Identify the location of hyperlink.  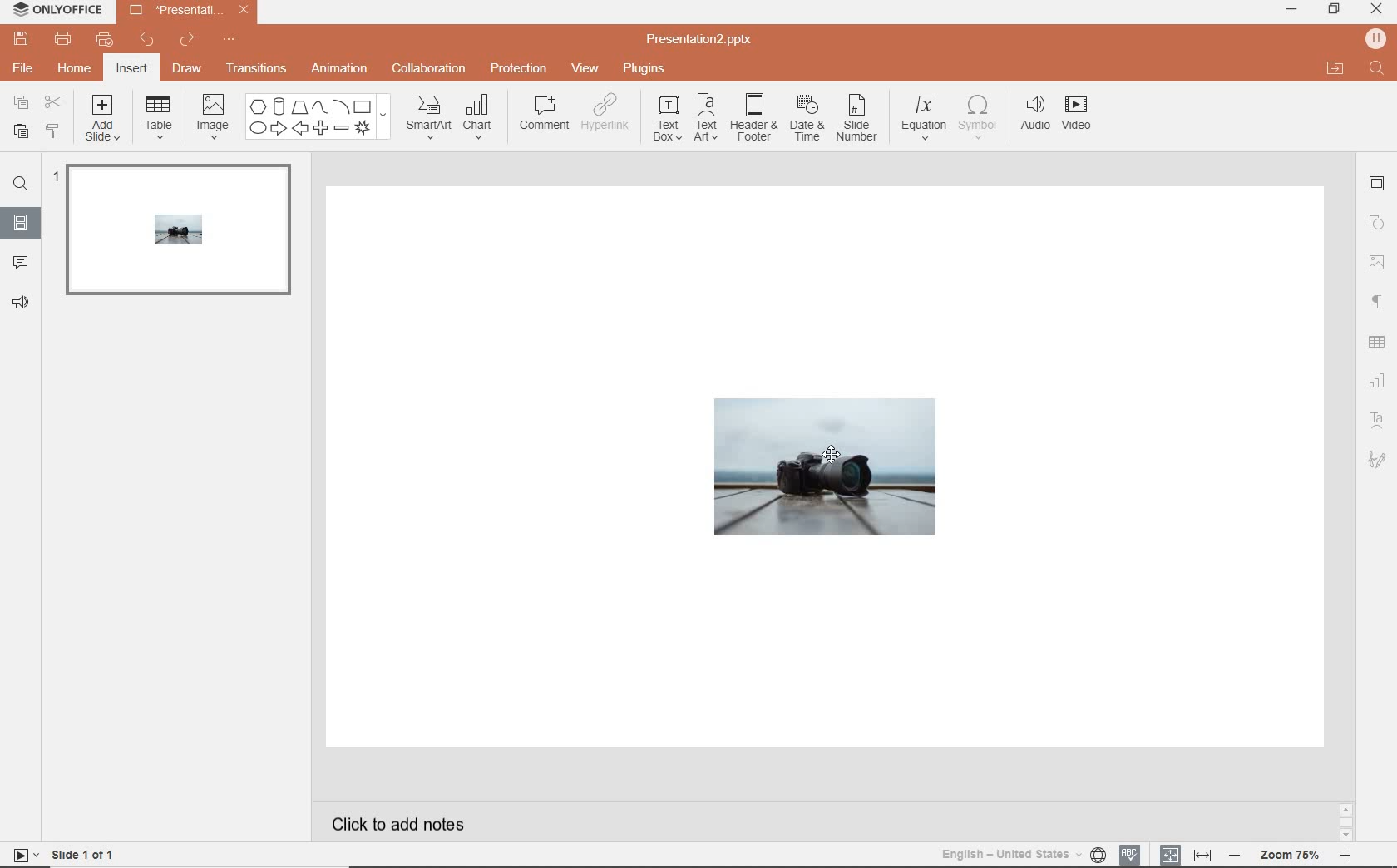
(610, 116).